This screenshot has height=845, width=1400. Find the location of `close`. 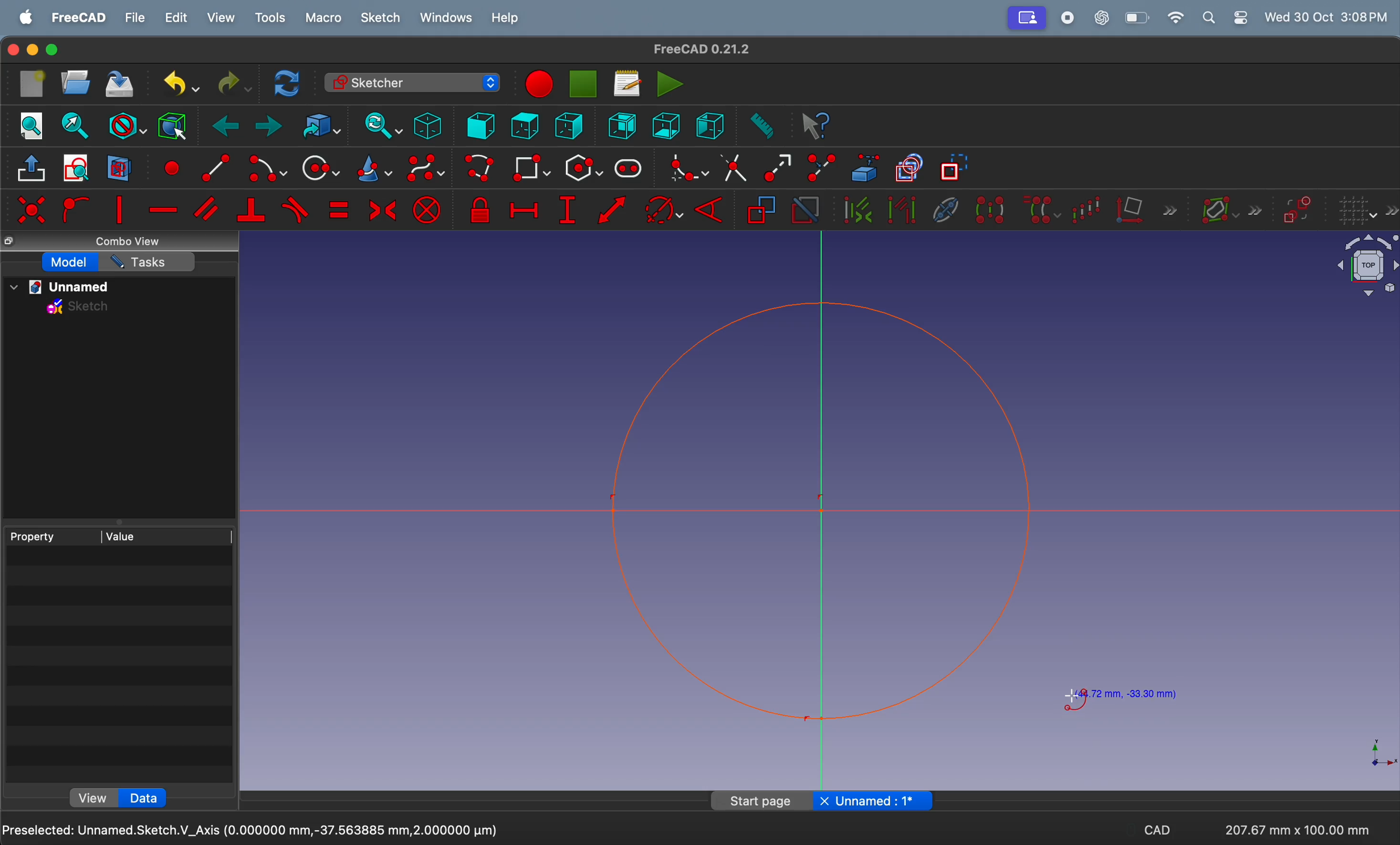

close is located at coordinates (826, 801).